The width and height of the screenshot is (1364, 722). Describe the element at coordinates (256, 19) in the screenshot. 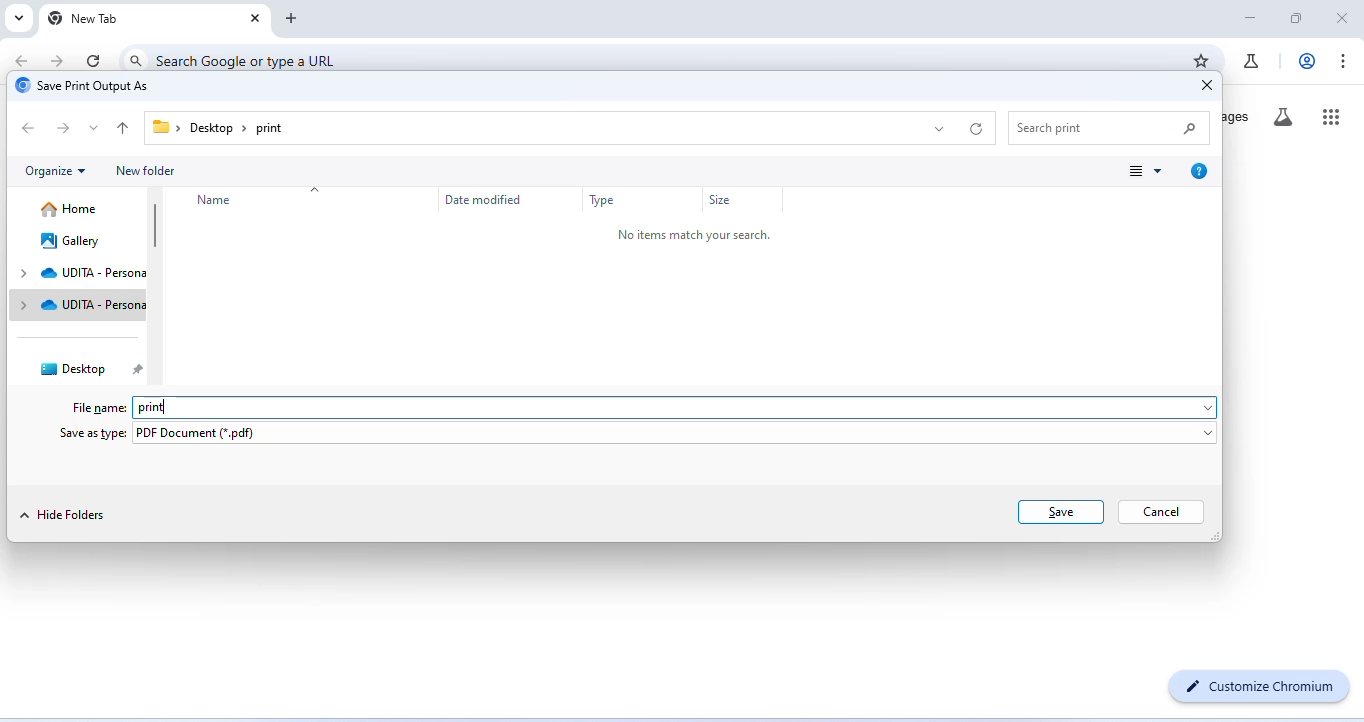

I see `close tab` at that location.